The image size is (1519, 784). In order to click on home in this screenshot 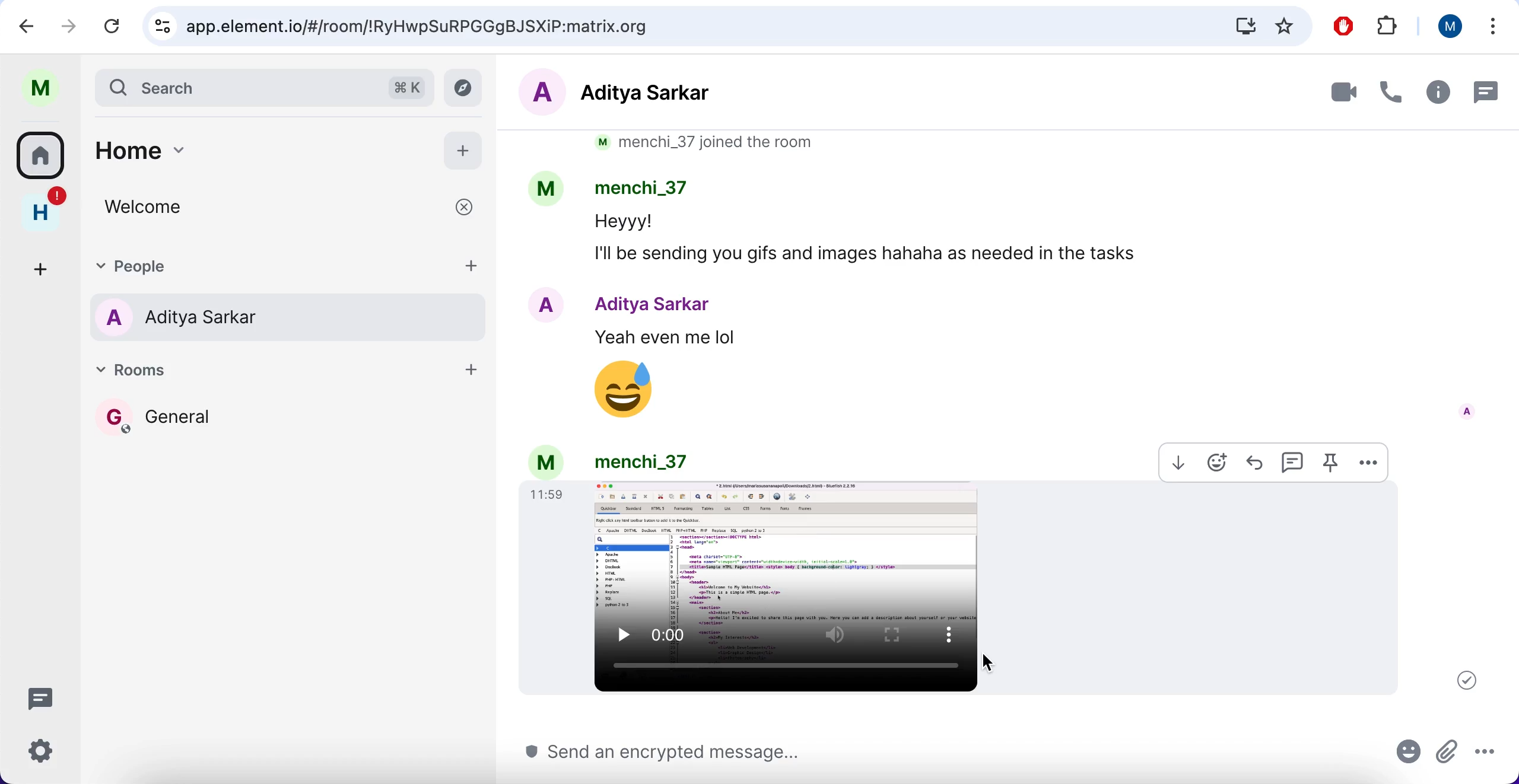, I will do `click(42, 154)`.